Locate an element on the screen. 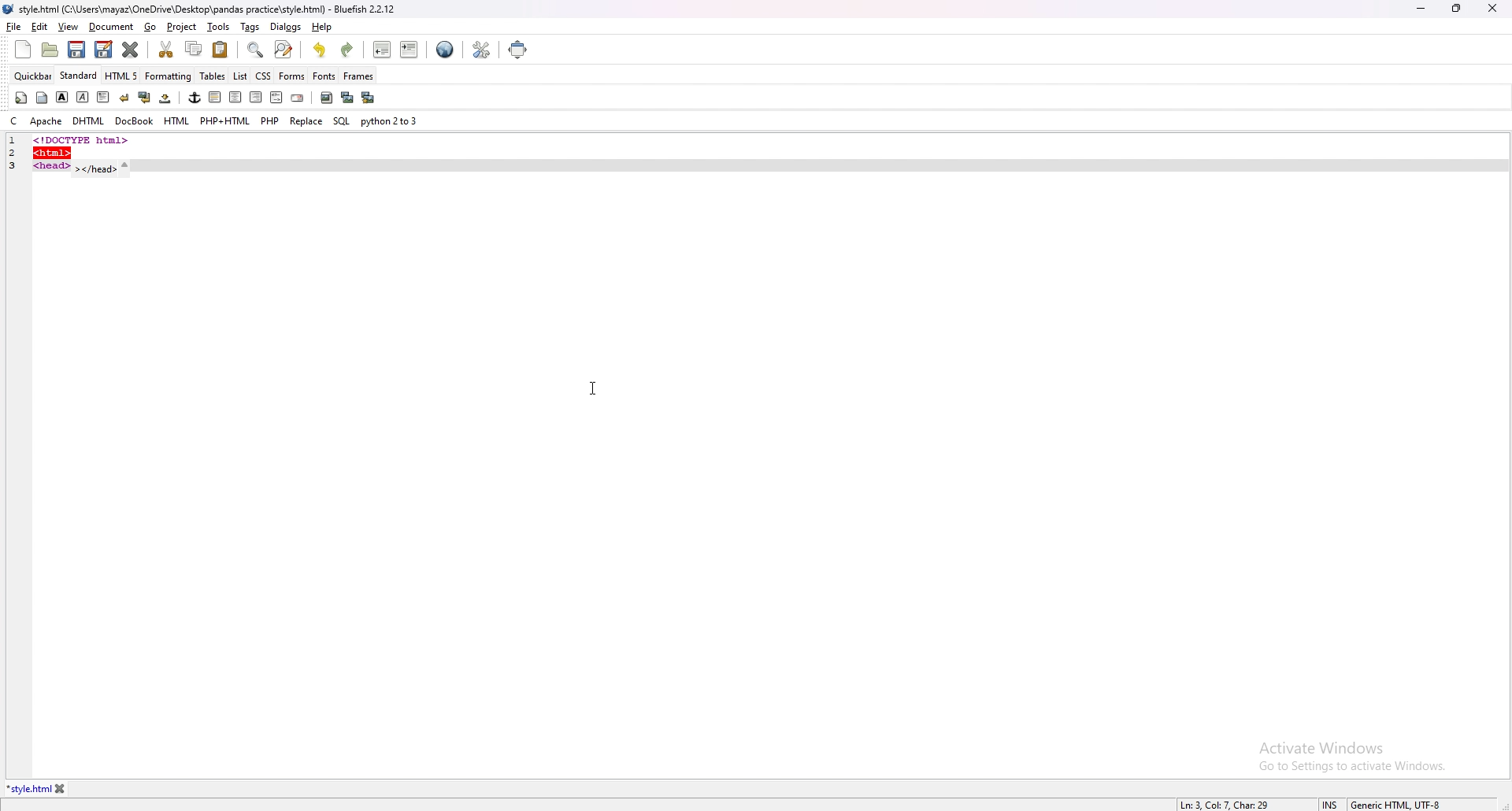  close tab is located at coordinates (61, 789).